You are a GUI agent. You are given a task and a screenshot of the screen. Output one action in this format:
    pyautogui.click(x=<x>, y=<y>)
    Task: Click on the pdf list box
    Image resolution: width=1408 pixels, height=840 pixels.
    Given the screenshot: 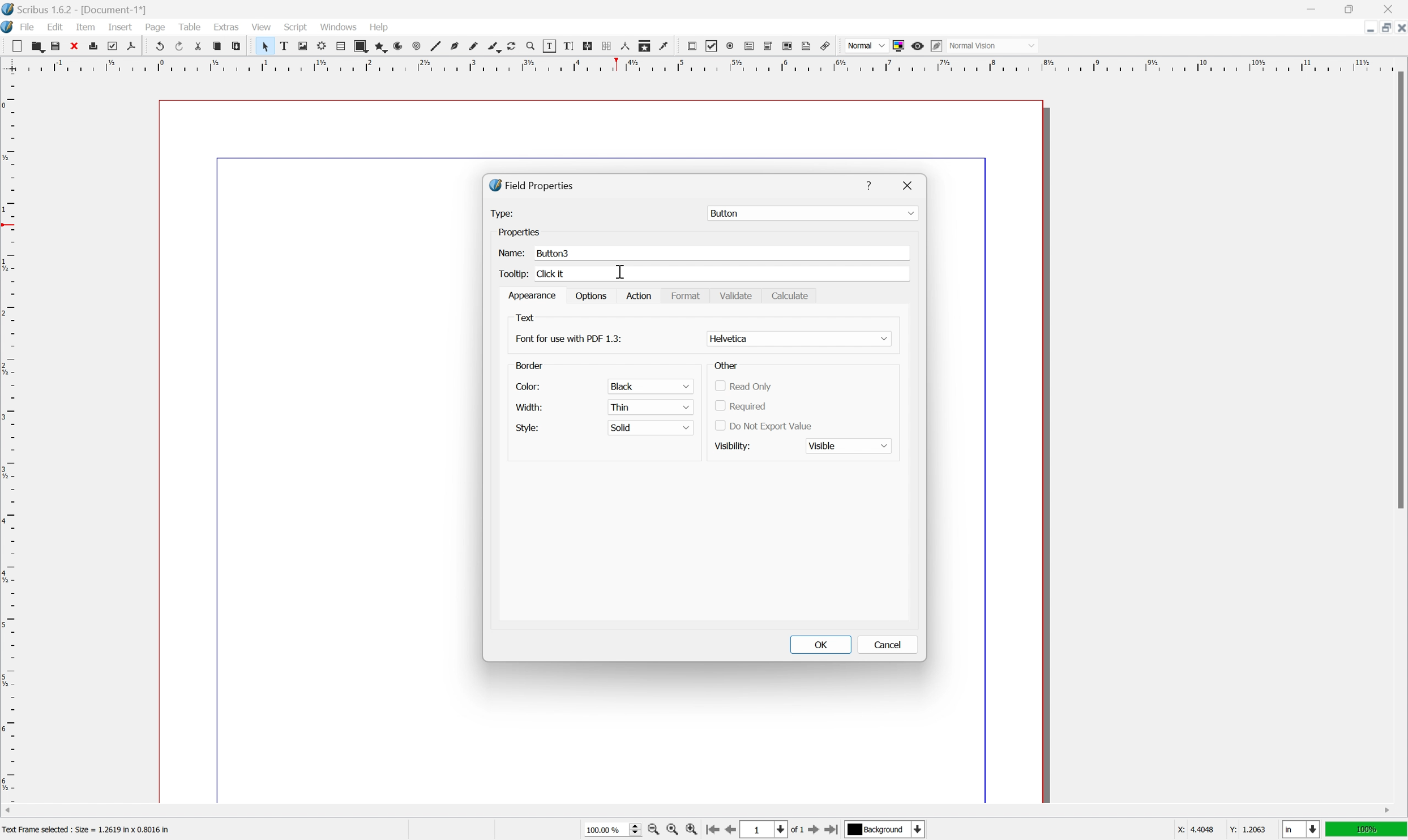 What is the action you would take?
    pyautogui.click(x=787, y=46)
    